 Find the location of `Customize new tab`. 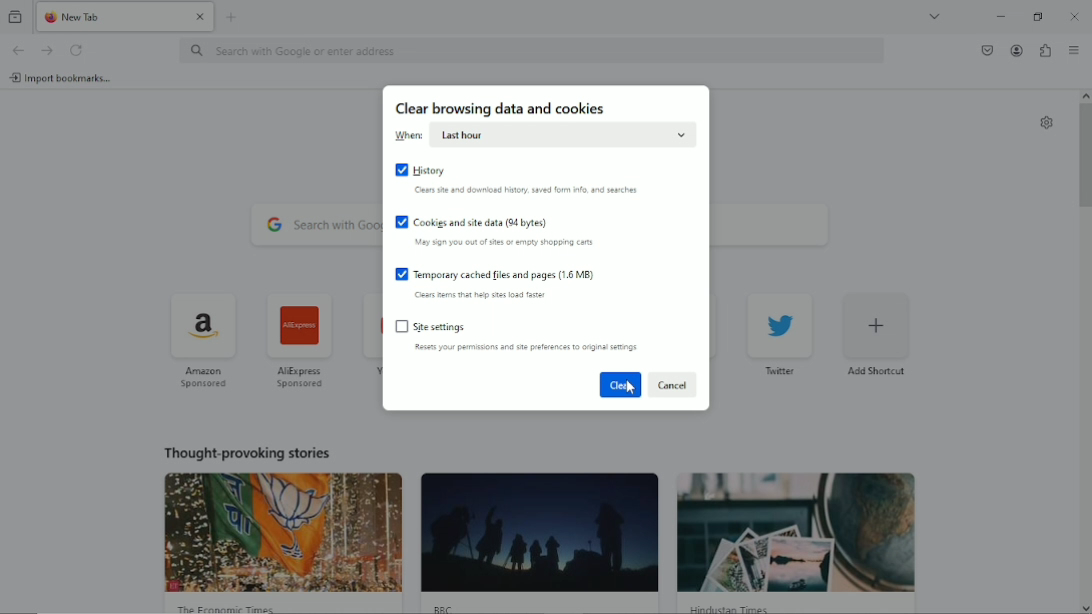

Customize new tab is located at coordinates (1047, 122).